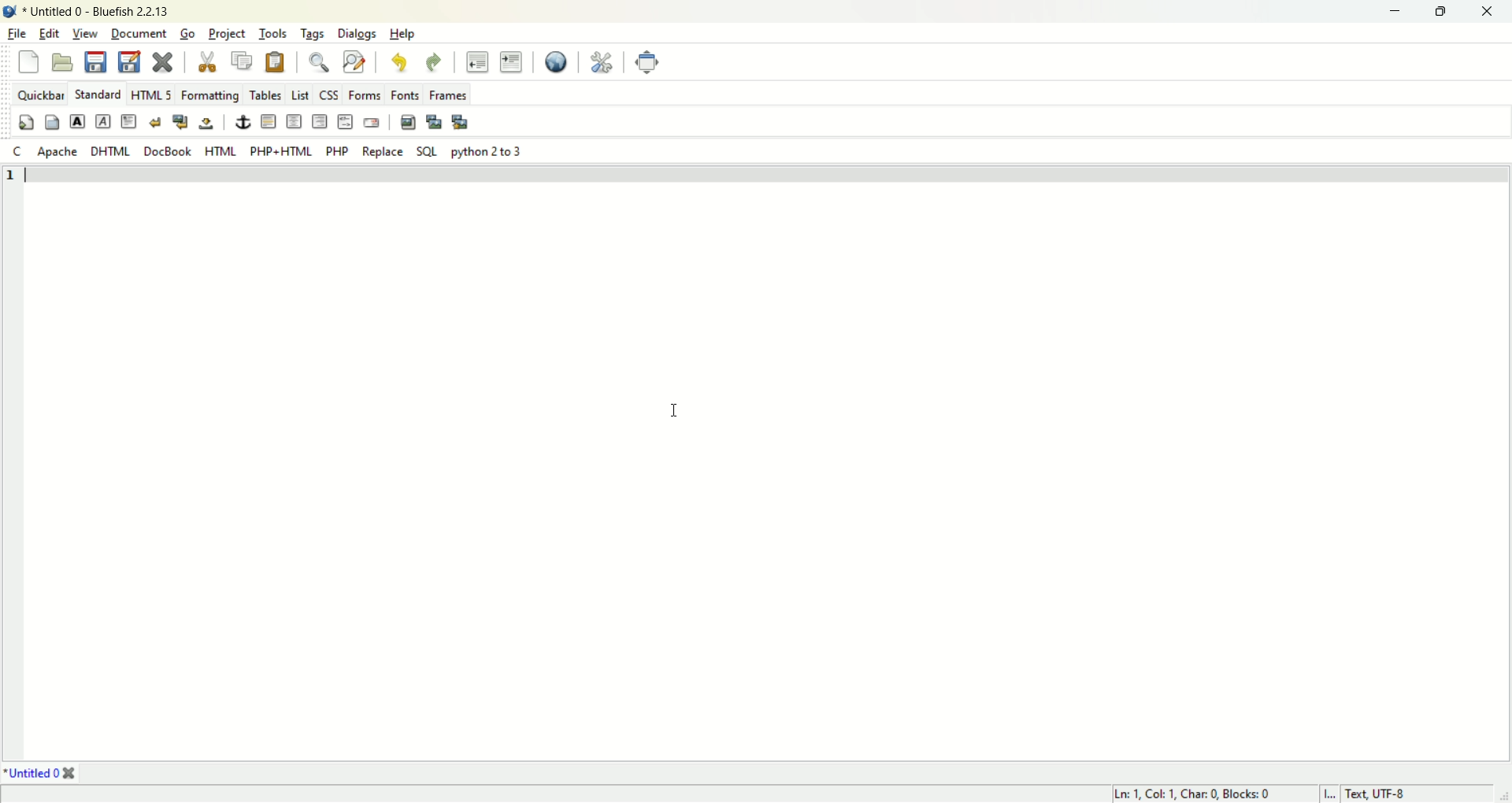 This screenshot has width=1512, height=803. I want to click on minimize, so click(1392, 10).